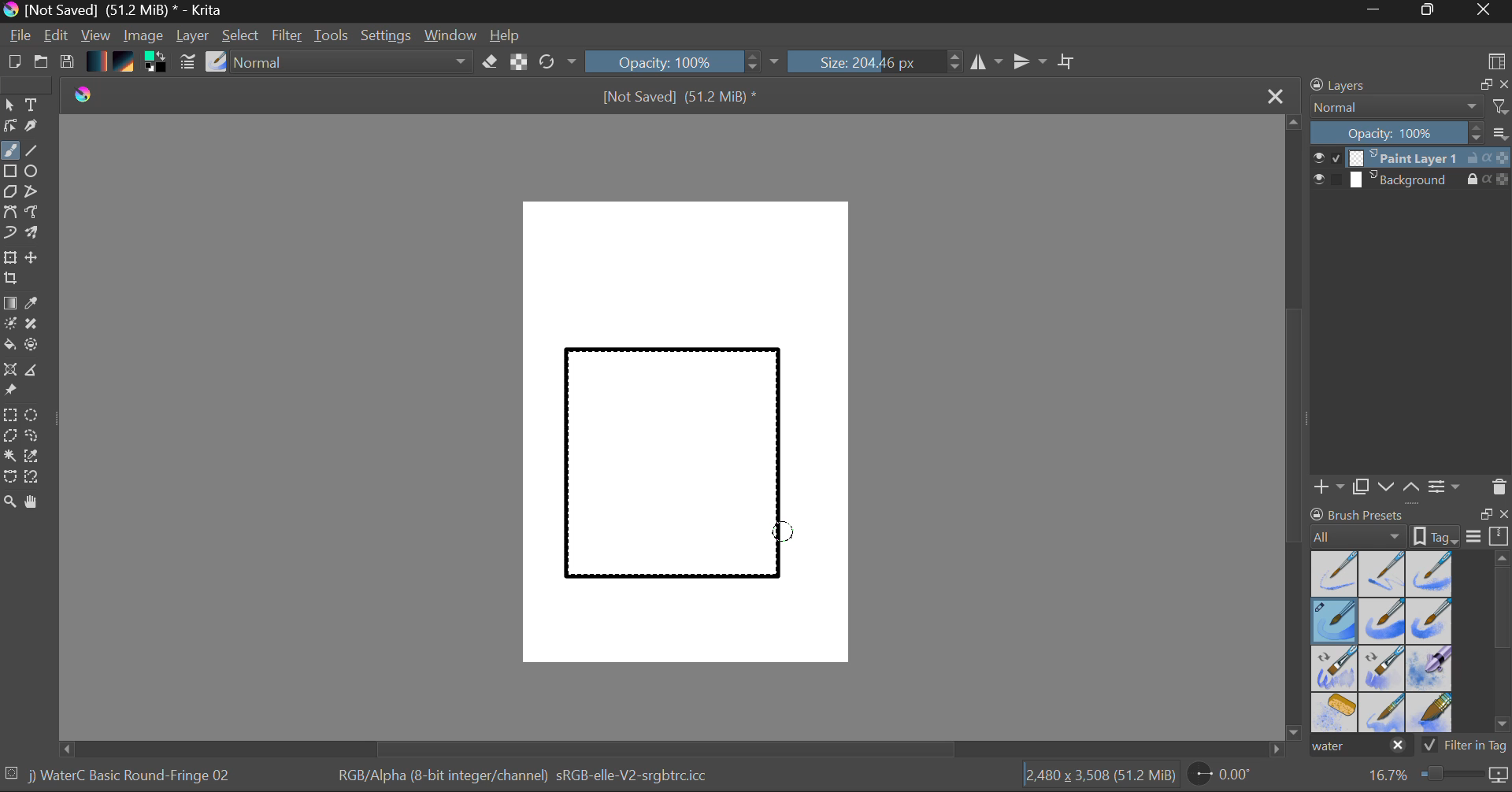 The height and width of the screenshot is (792, 1512). What do you see at coordinates (13, 279) in the screenshot?
I see `Crop` at bounding box center [13, 279].